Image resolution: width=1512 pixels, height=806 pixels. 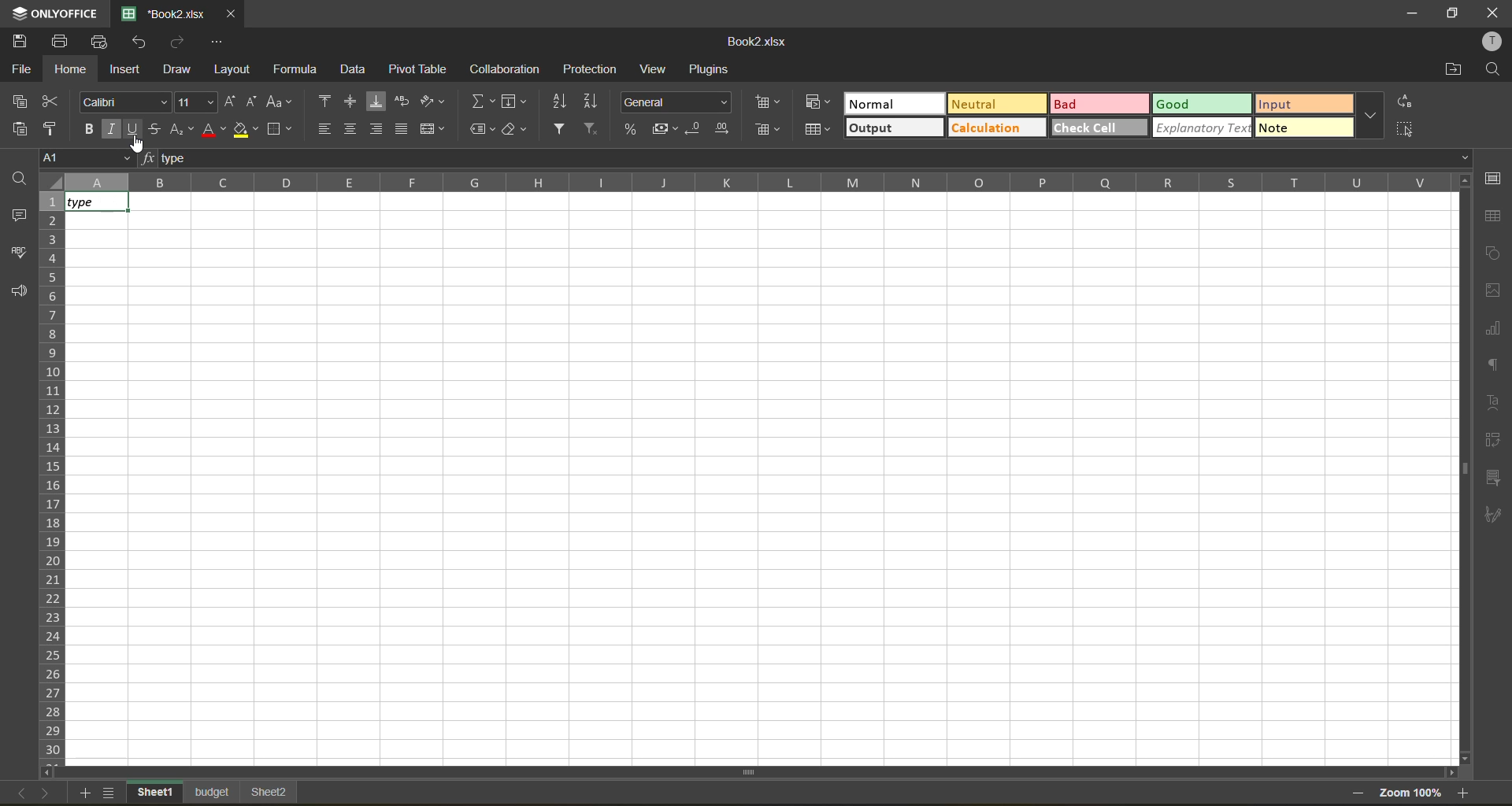 What do you see at coordinates (508, 72) in the screenshot?
I see `collaboration` at bounding box center [508, 72].